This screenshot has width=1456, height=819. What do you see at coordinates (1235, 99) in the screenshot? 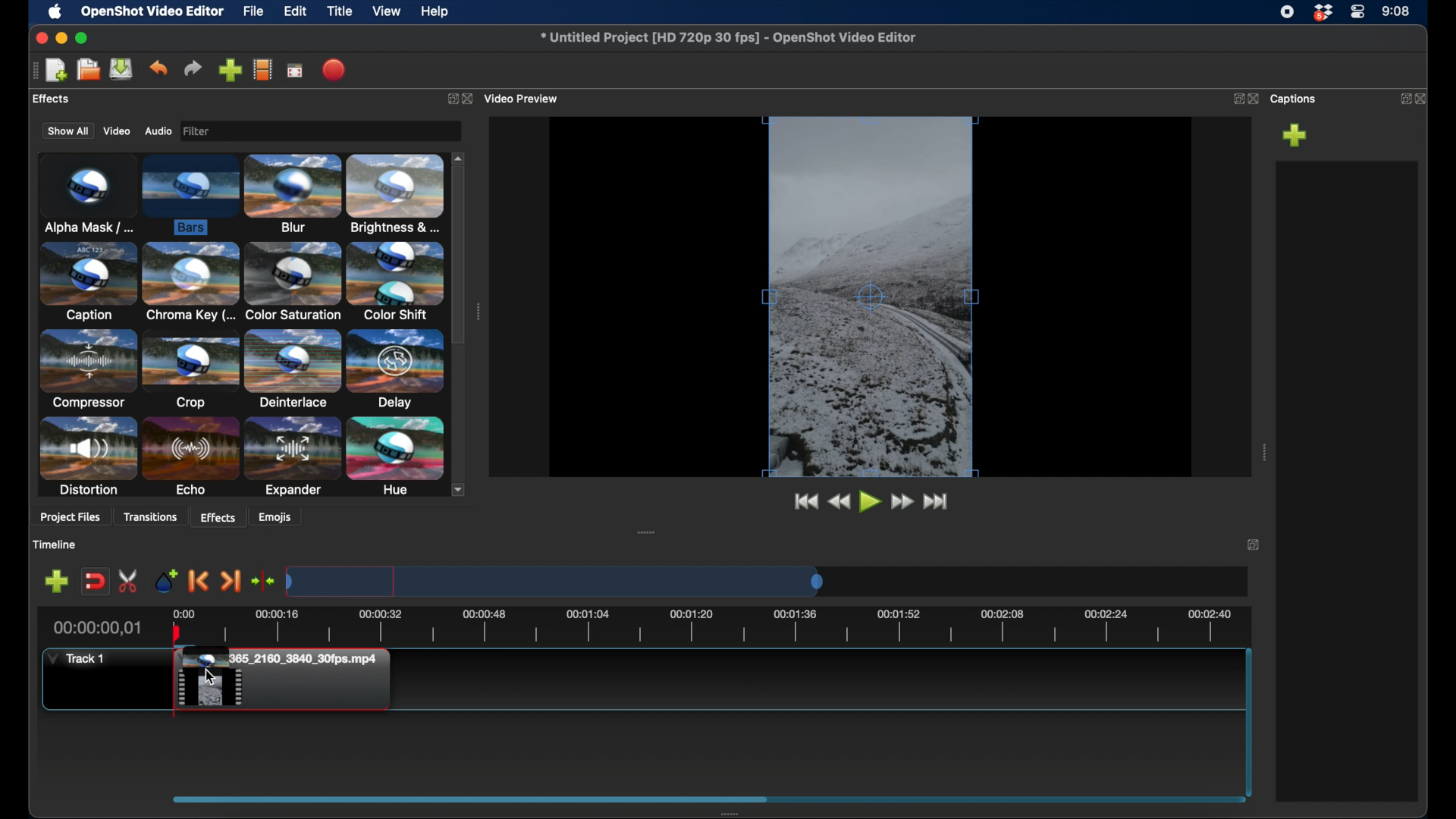
I see `expand` at bounding box center [1235, 99].